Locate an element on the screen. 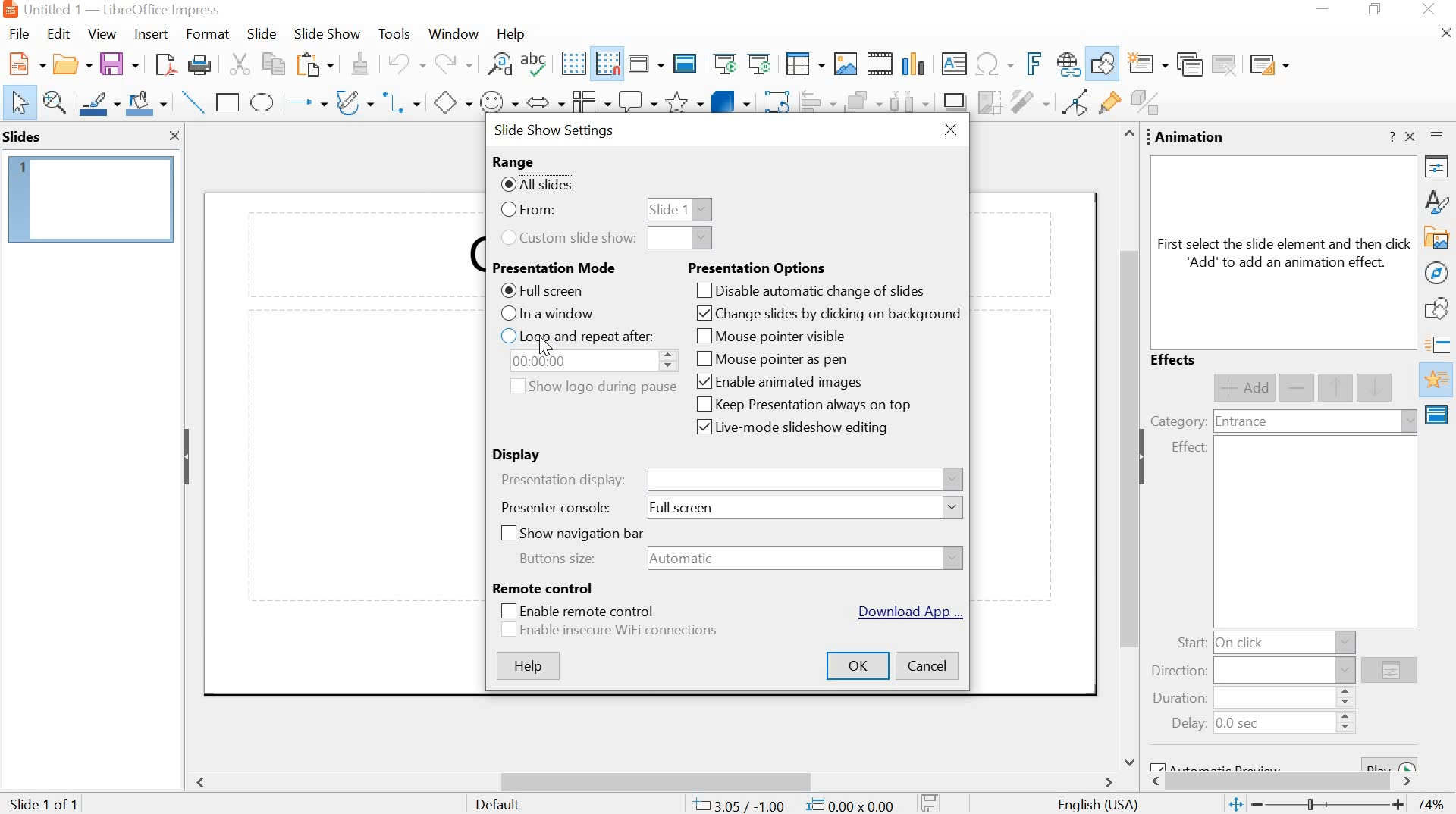 This screenshot has height=814, width=1456. options is located at coordinates (1389, 672).